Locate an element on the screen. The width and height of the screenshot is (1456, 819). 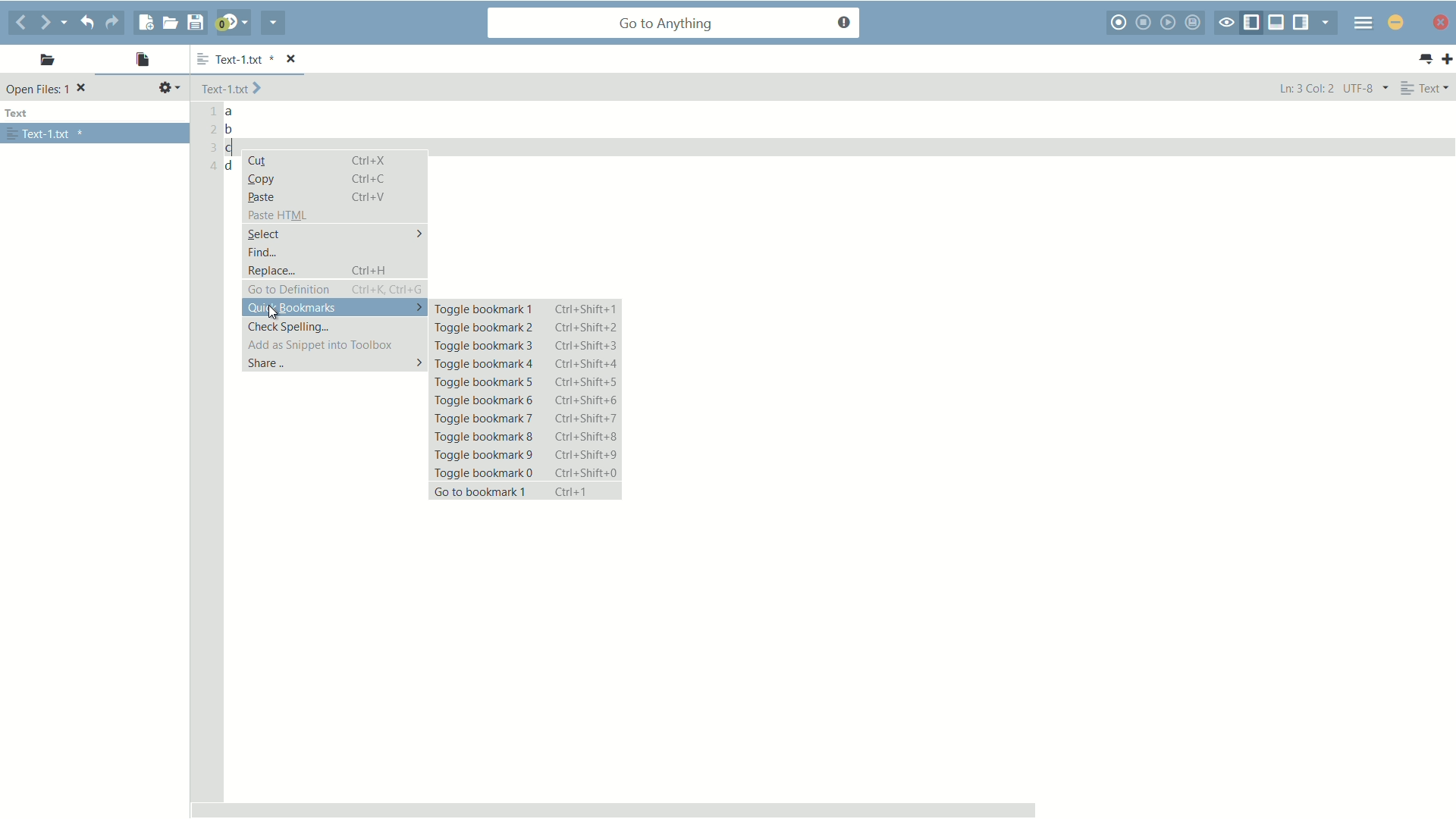
replace is located at coordinates (334, 271).